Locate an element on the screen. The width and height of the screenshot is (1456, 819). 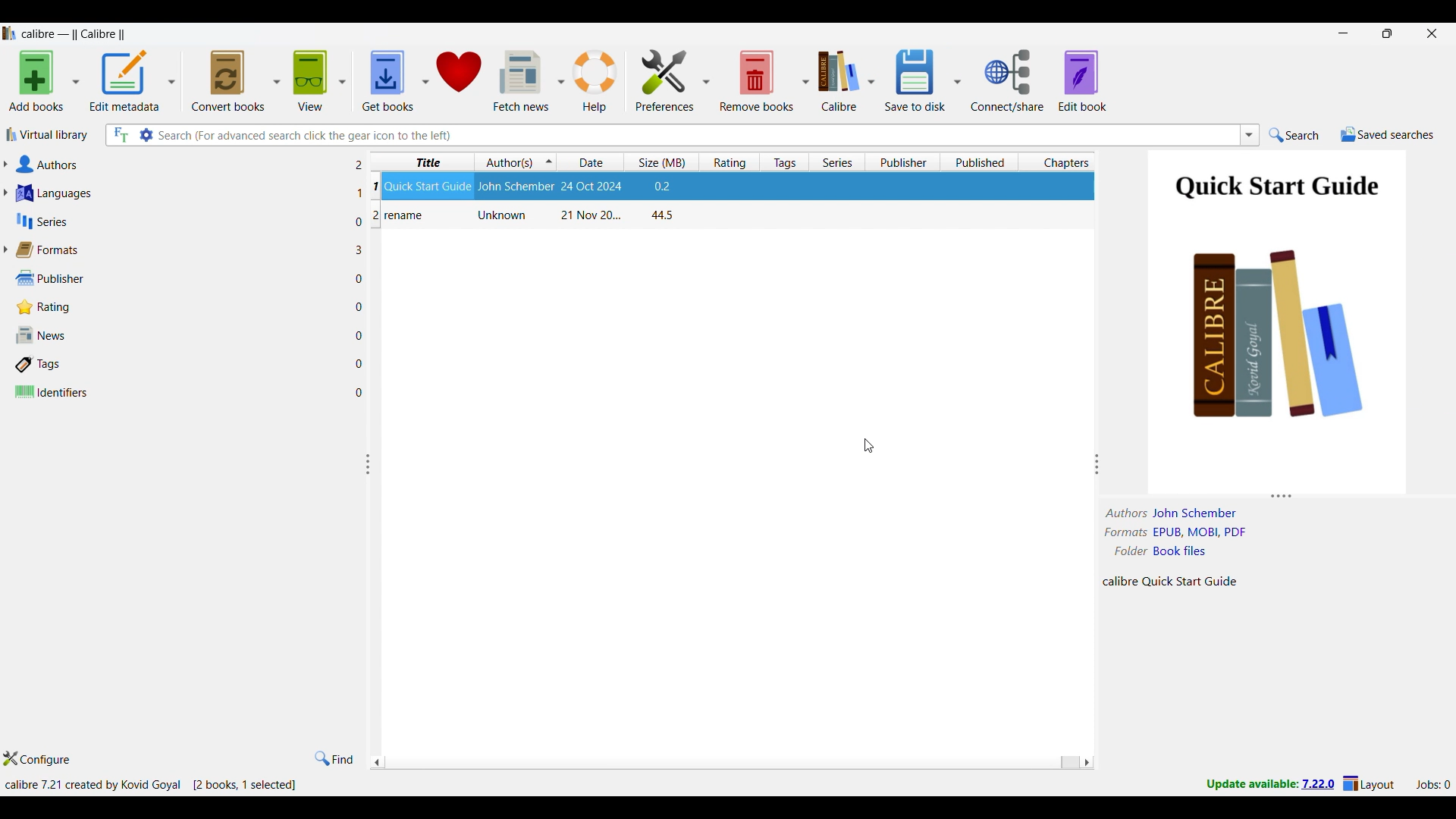
Saved searches is located at coordinates (1387, 134).